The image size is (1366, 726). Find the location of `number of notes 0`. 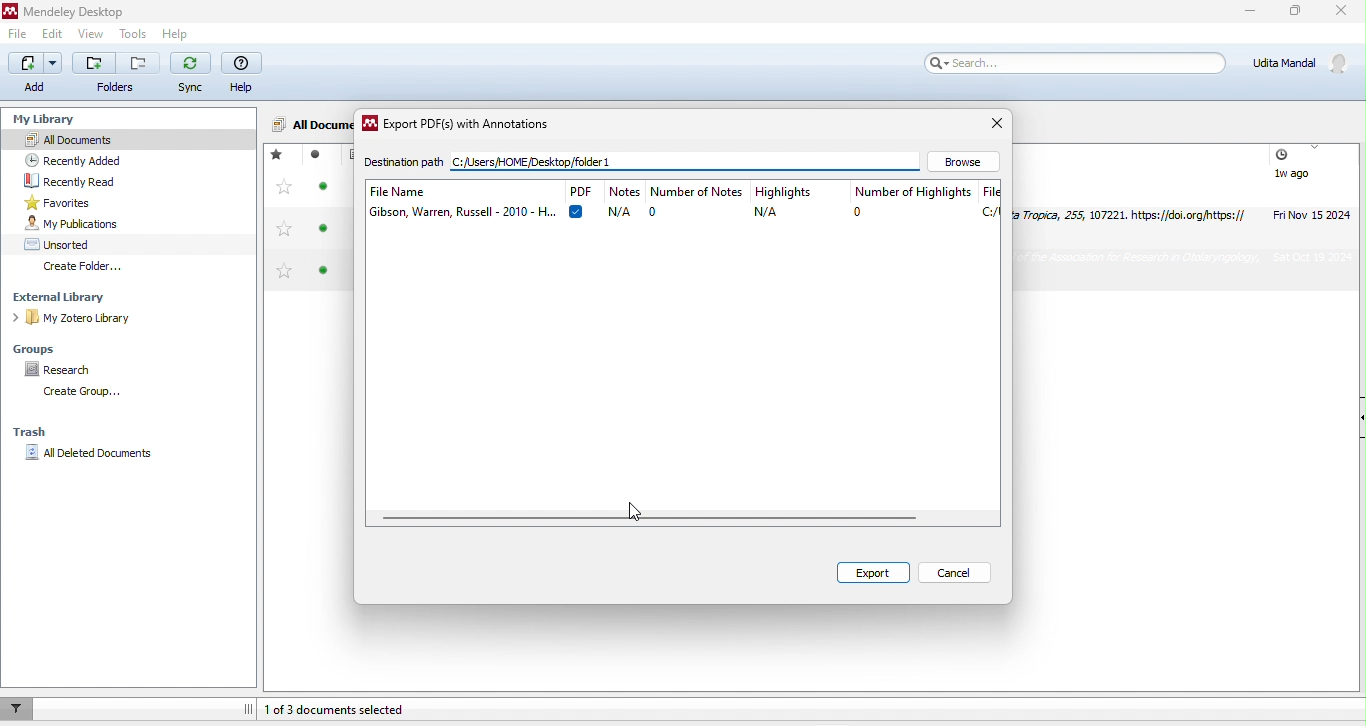

number of notes 0 is located at coordinates (697, 201).